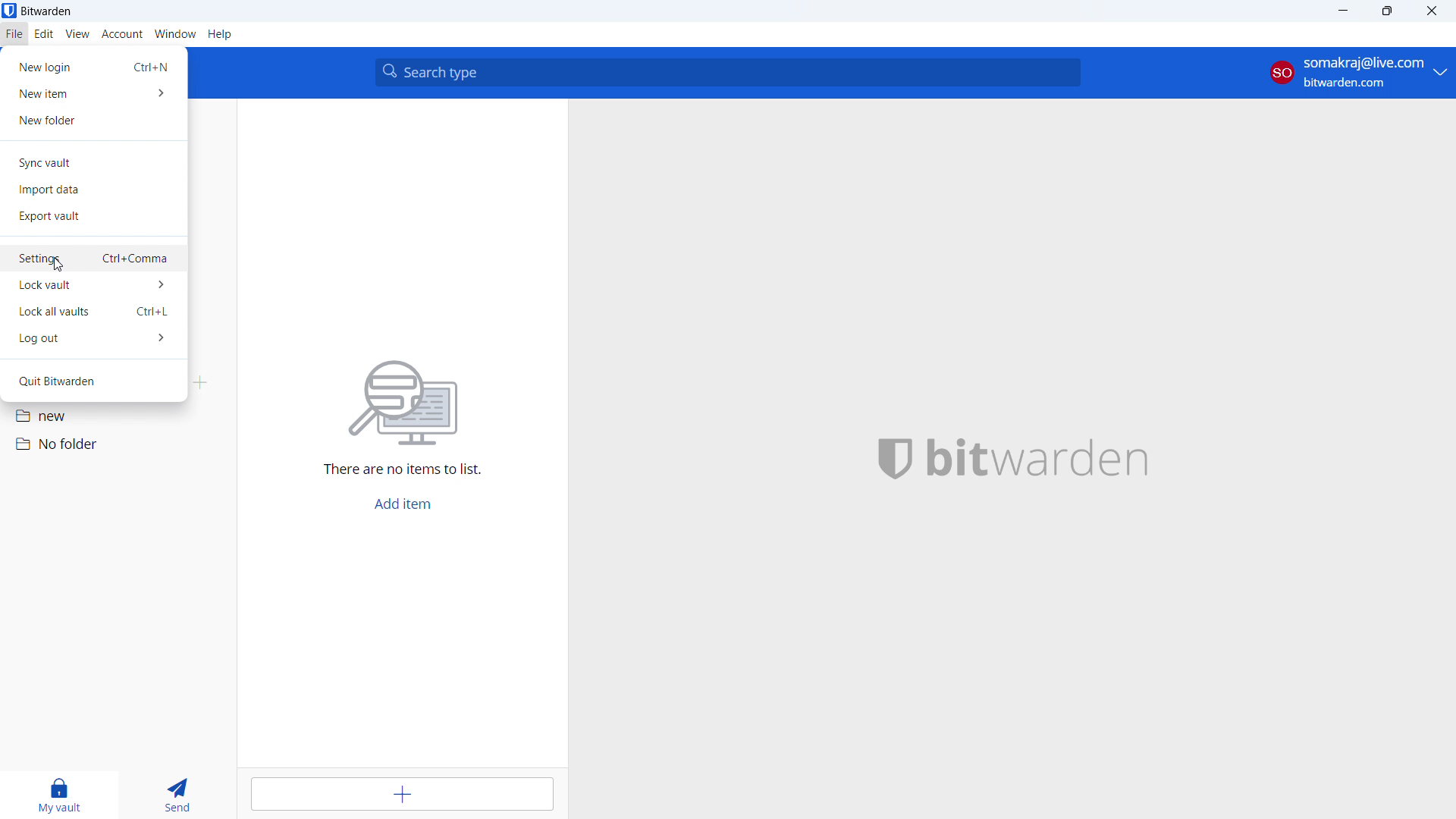 This screenshot has height=819, width=1456. I want to click on cursor, so click(57, 265).